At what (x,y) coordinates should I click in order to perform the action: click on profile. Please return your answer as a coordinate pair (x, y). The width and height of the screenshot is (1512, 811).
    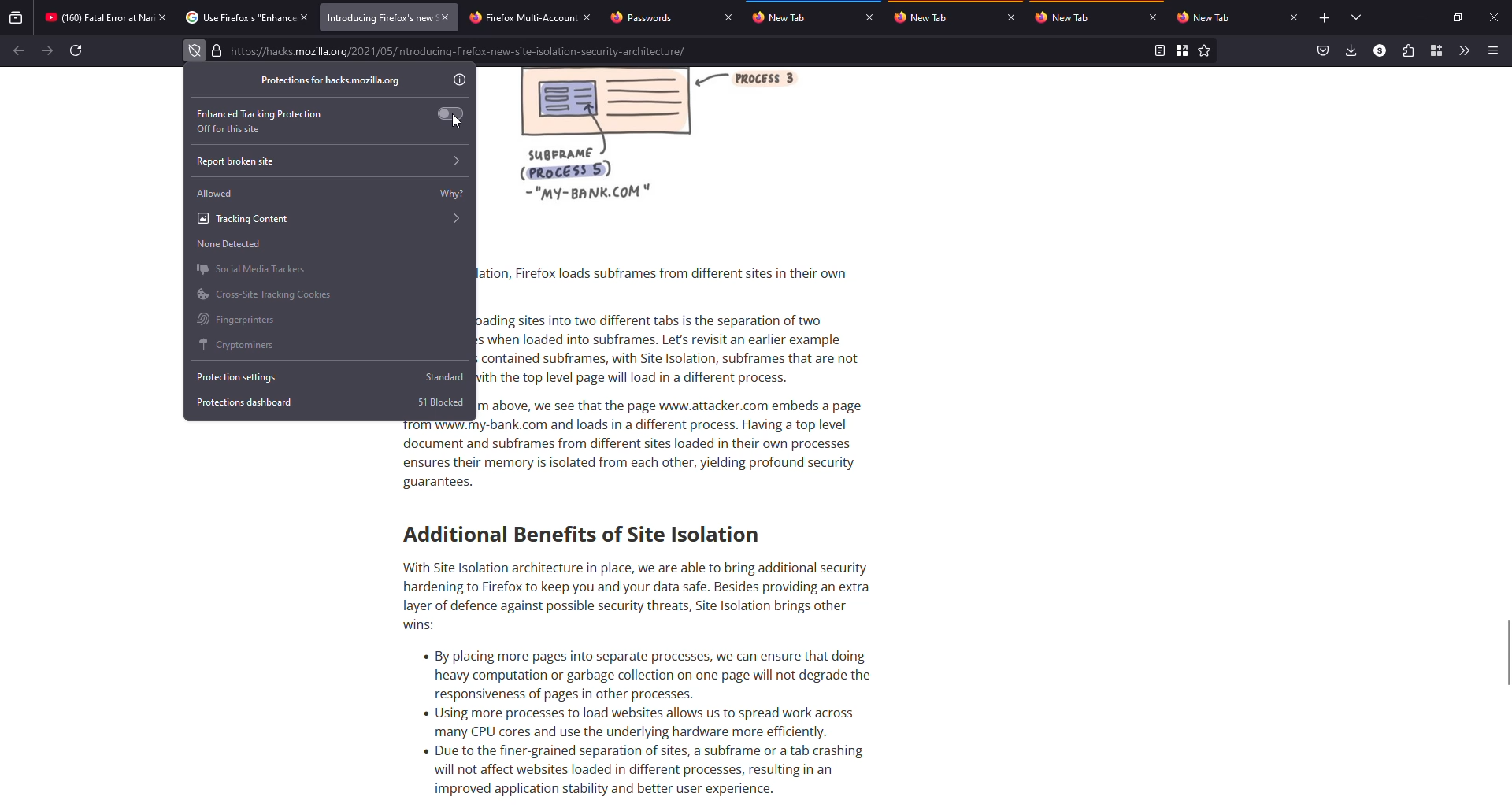
    Looking at the image, I should click on (1379, 50).